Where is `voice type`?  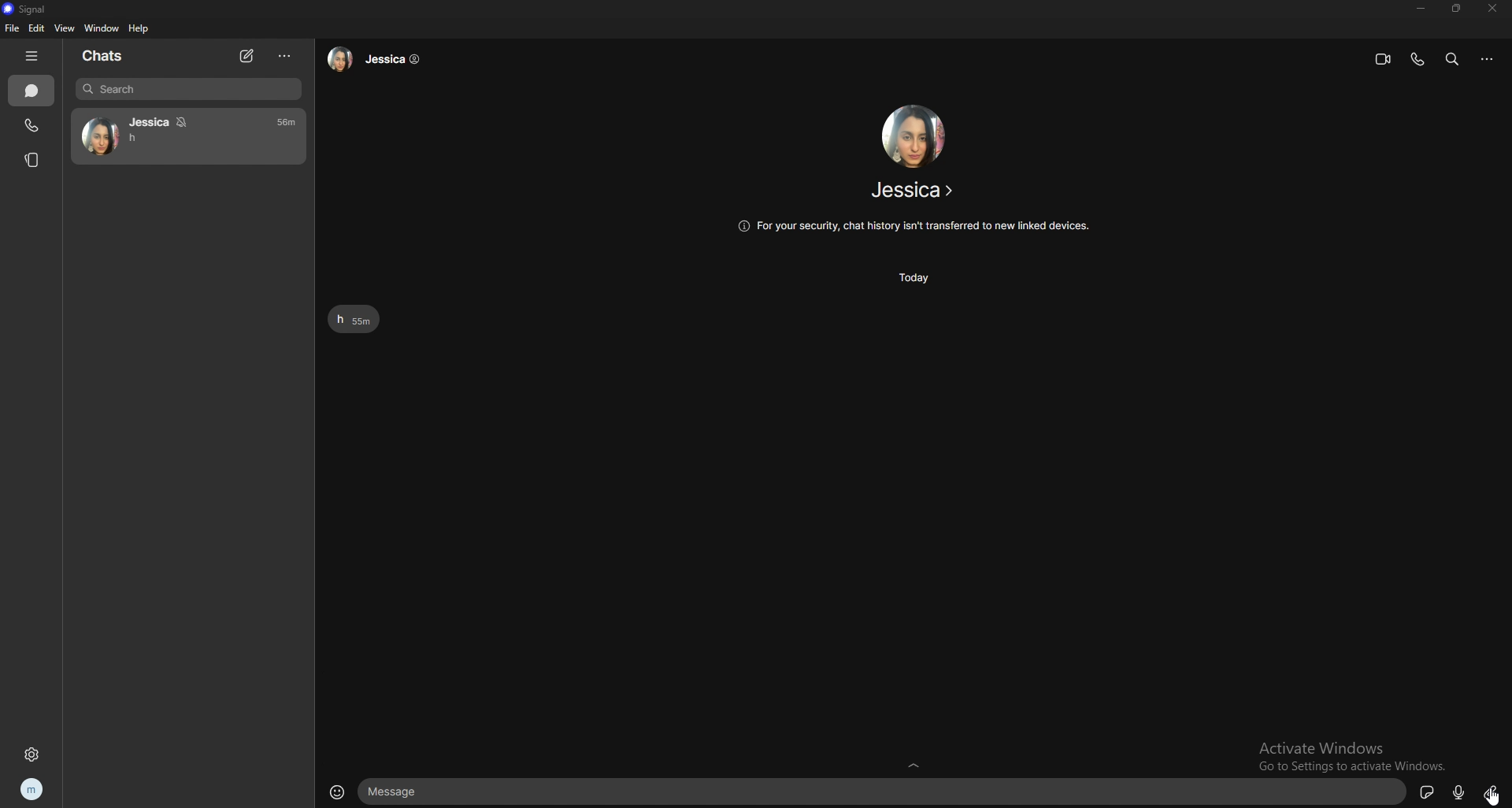
voice type is located at coordinates (1459, 791).